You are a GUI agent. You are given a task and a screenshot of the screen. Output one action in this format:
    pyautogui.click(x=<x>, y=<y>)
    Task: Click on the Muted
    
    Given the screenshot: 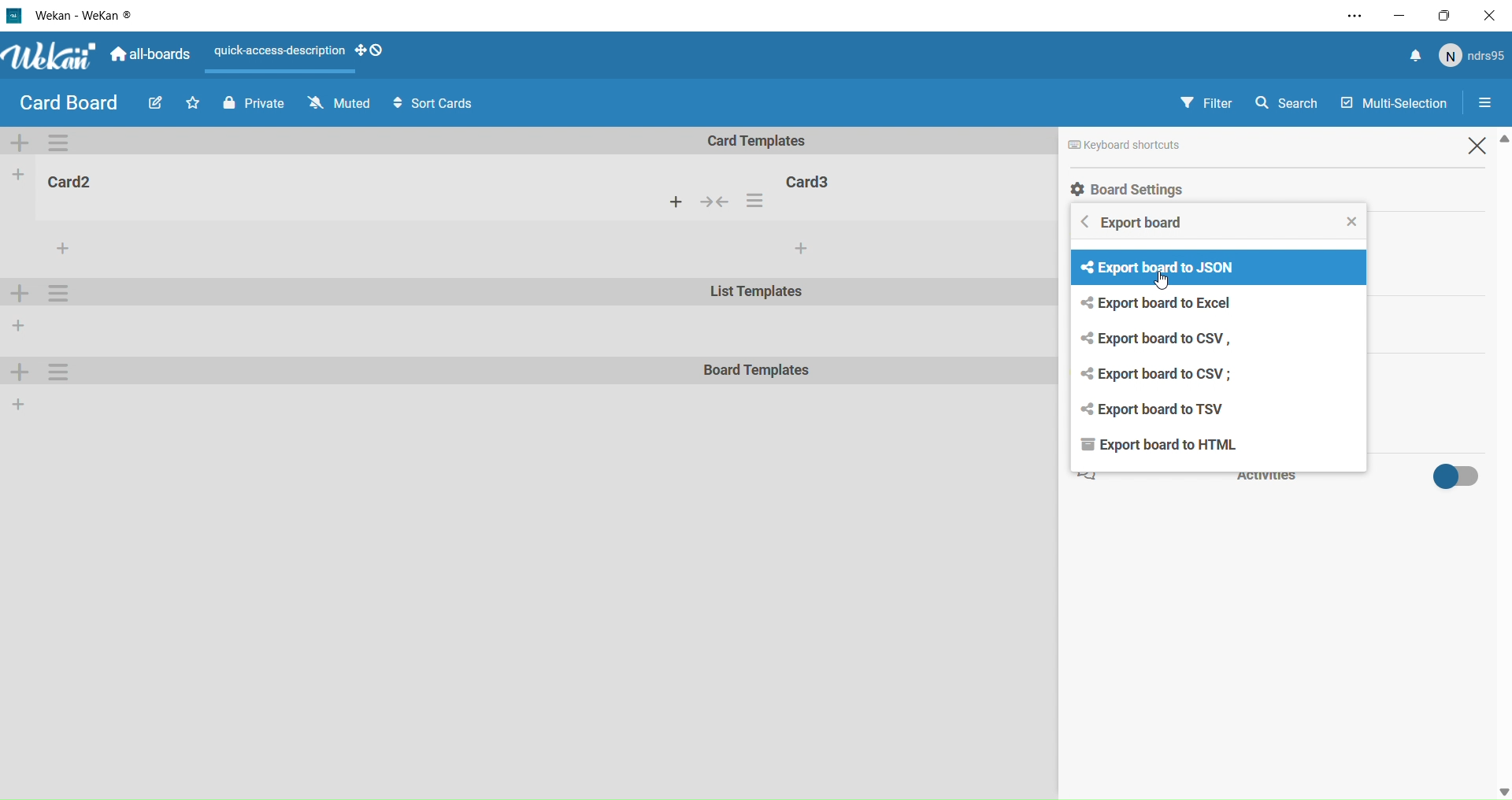 What is the action you would take?
    pyautogui.click(x=337, y=103)
    